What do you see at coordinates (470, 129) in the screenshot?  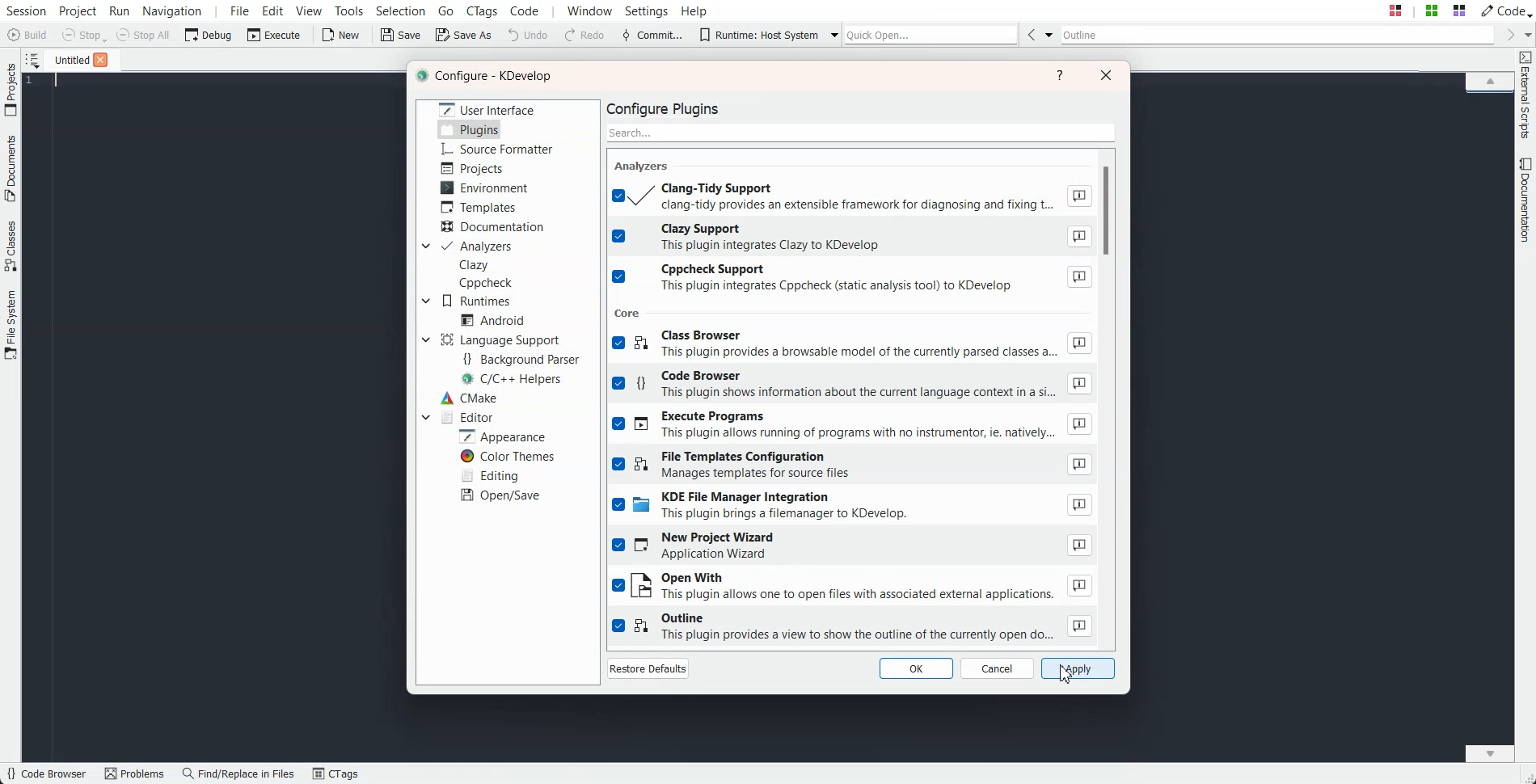 I see `Plugin Selected` at bounding box center [470, 129].